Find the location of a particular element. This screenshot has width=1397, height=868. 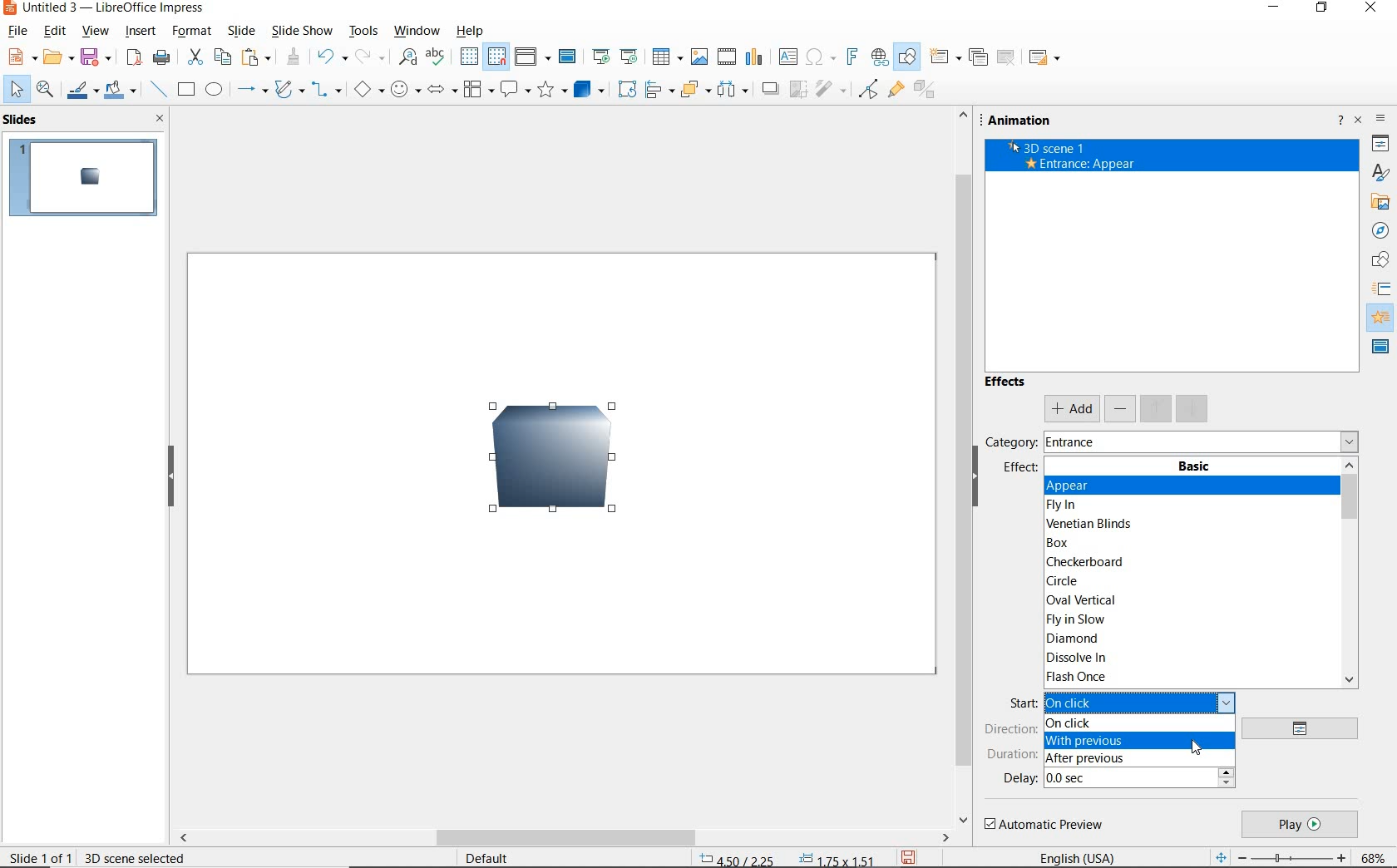

display views is located at coordinates (533, 57).